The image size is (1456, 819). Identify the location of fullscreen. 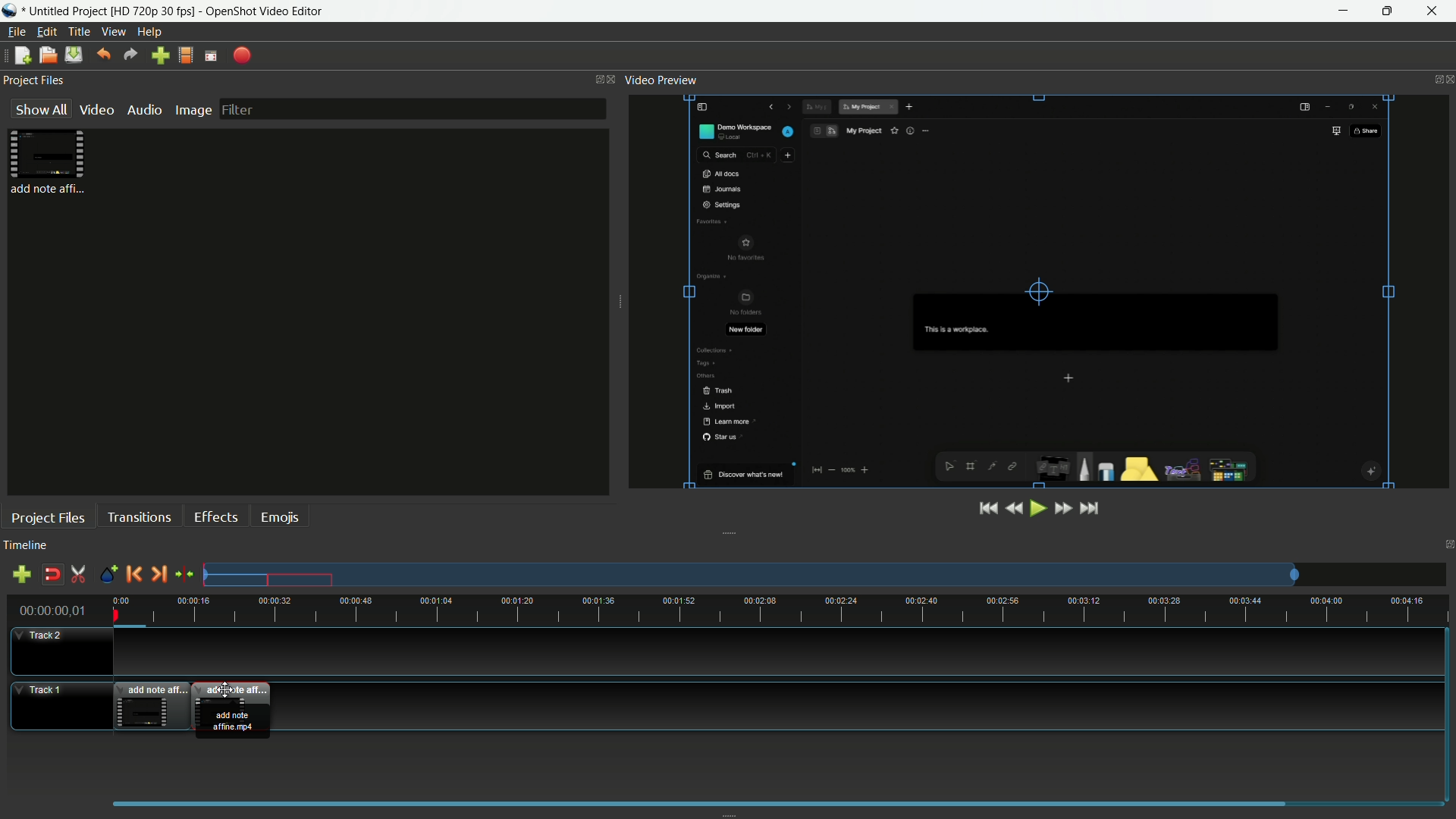
(212, 55).